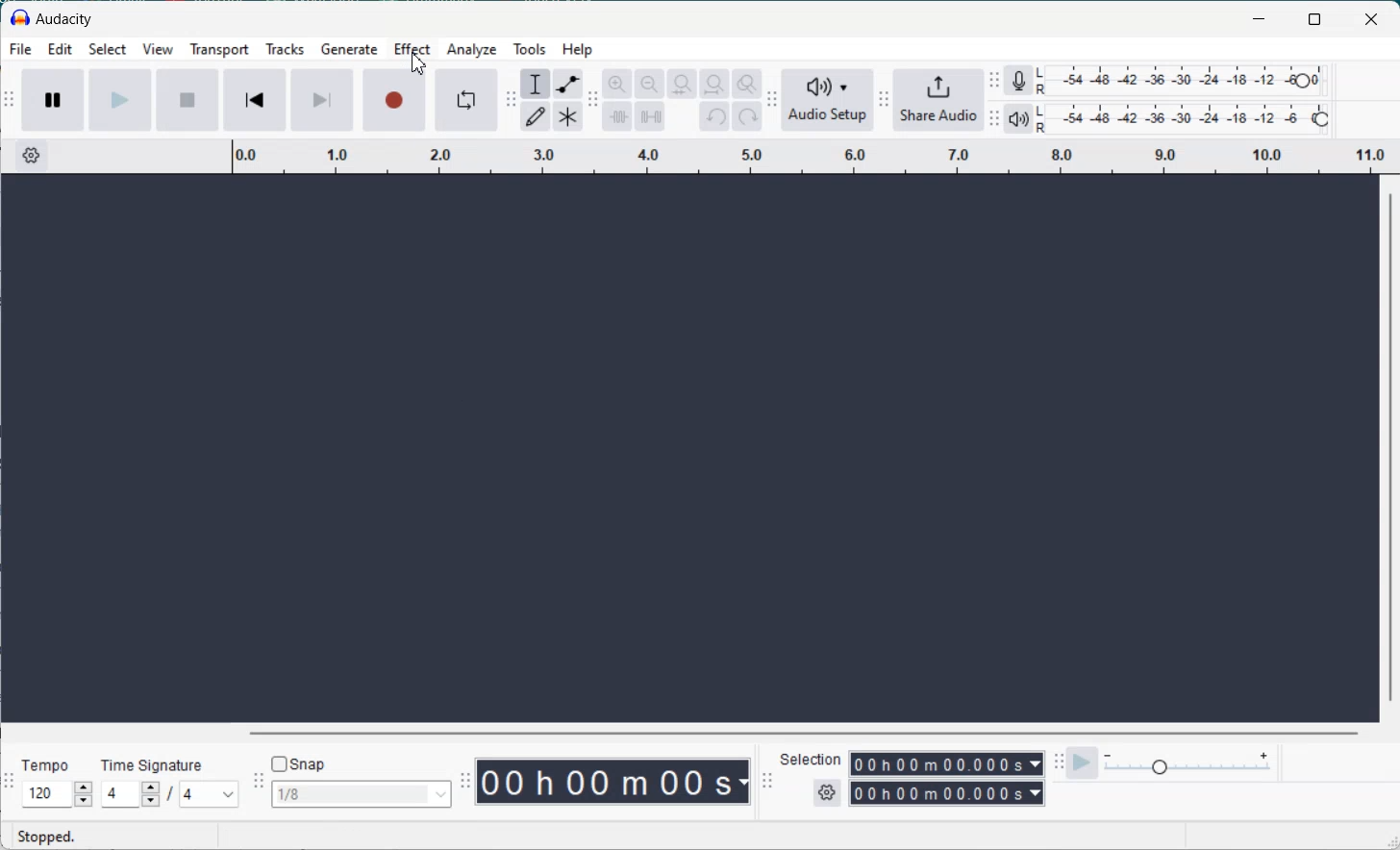 Image resolution: width=1400 pixels, height=850 pixels. I want to click on Selection settings, so click(826, 793).